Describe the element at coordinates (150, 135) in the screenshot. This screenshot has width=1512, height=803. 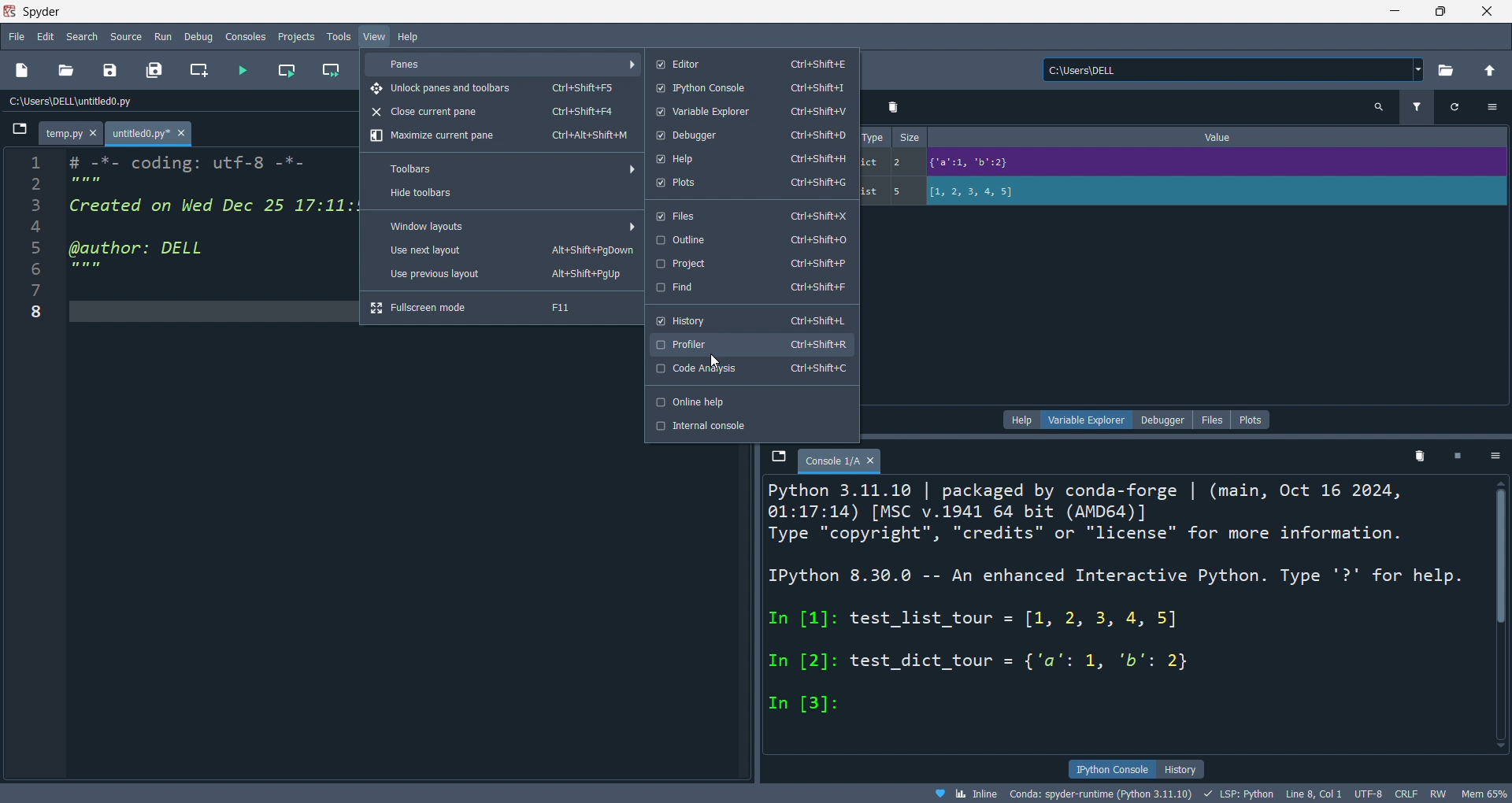
I see `tab - untitled0.py` at that location.